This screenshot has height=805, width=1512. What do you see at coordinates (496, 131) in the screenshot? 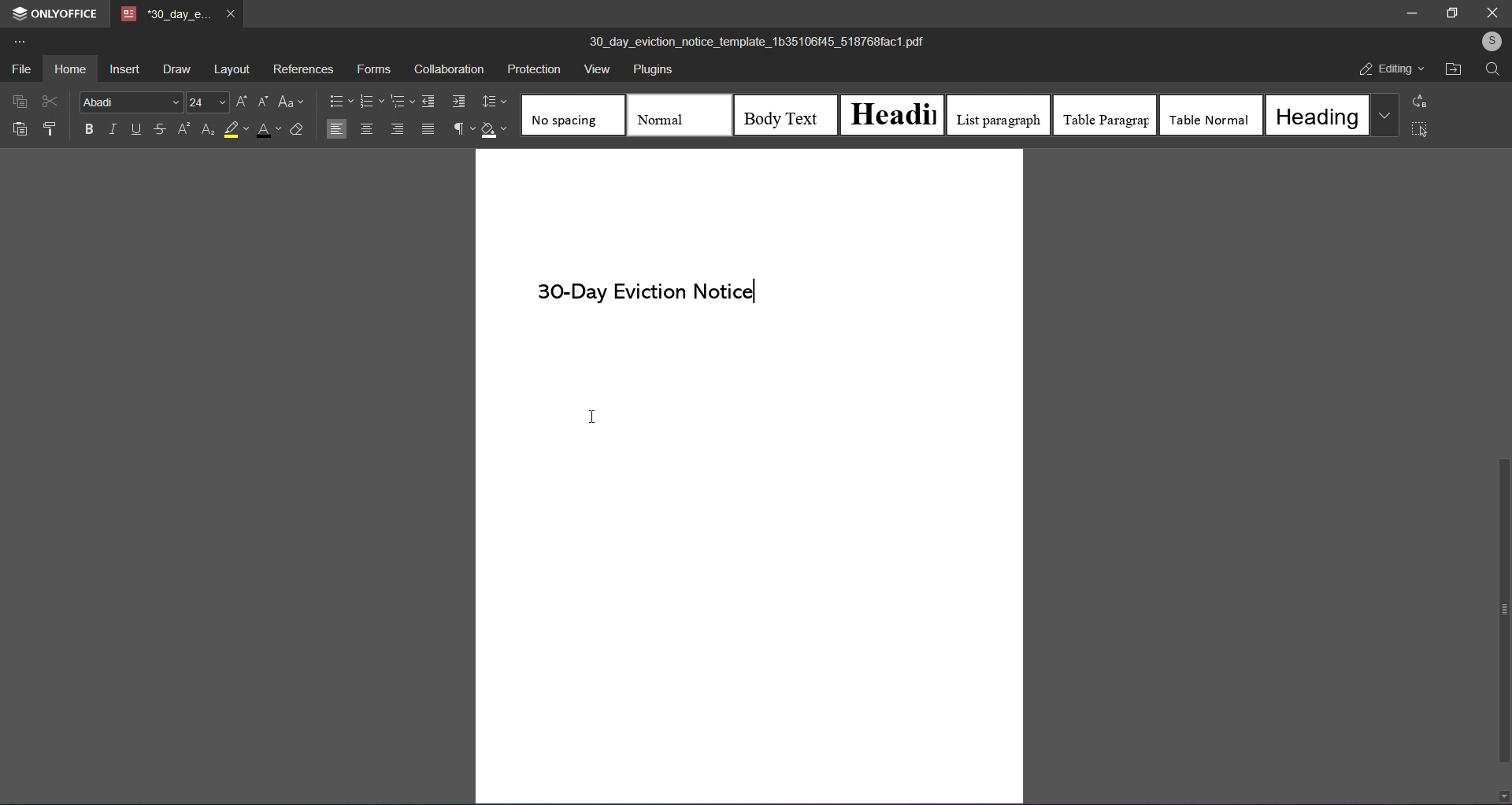
I see `shading` at bounding box center [496, 131].